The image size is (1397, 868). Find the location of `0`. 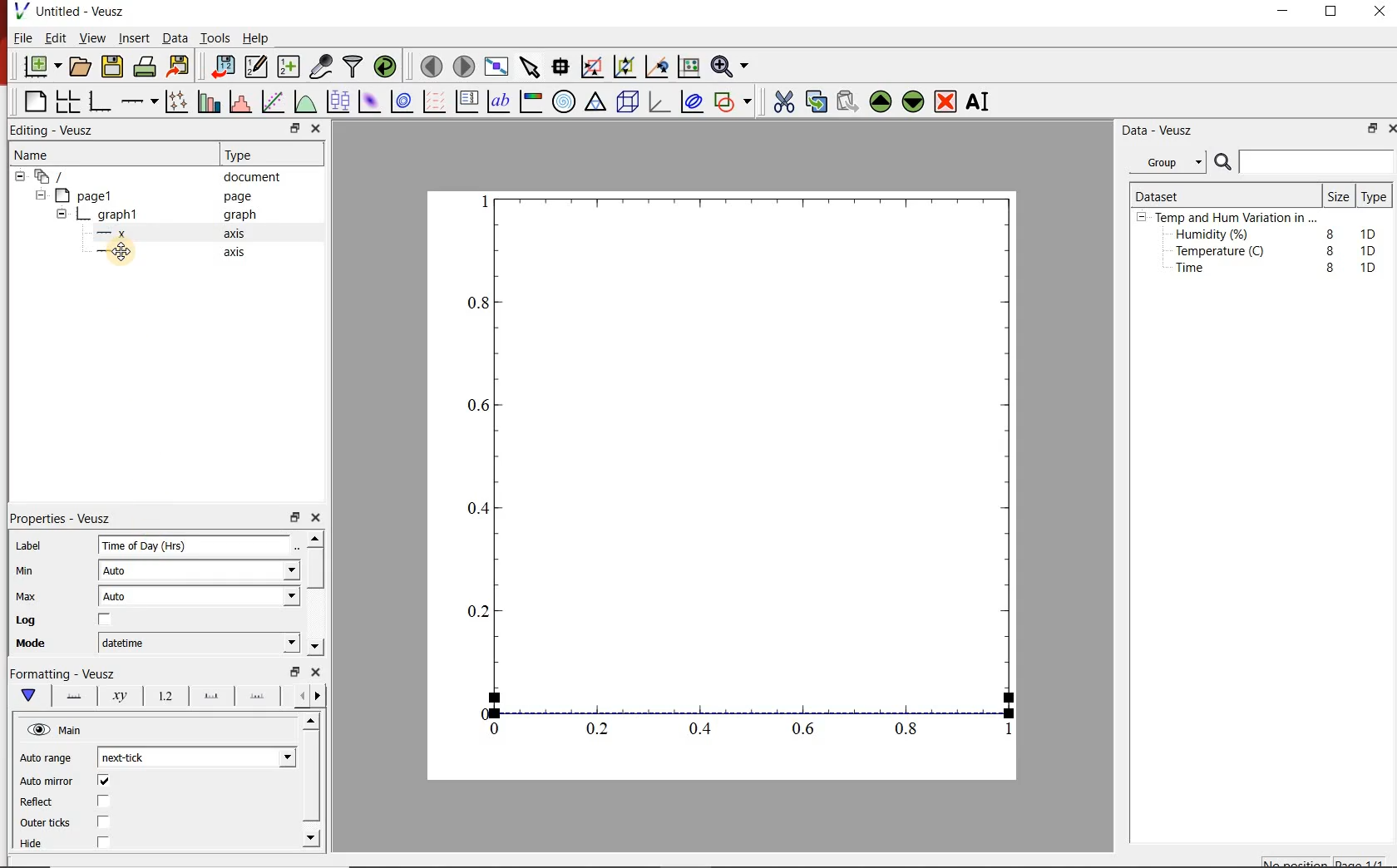

0 is located at coordinates (479, 711).